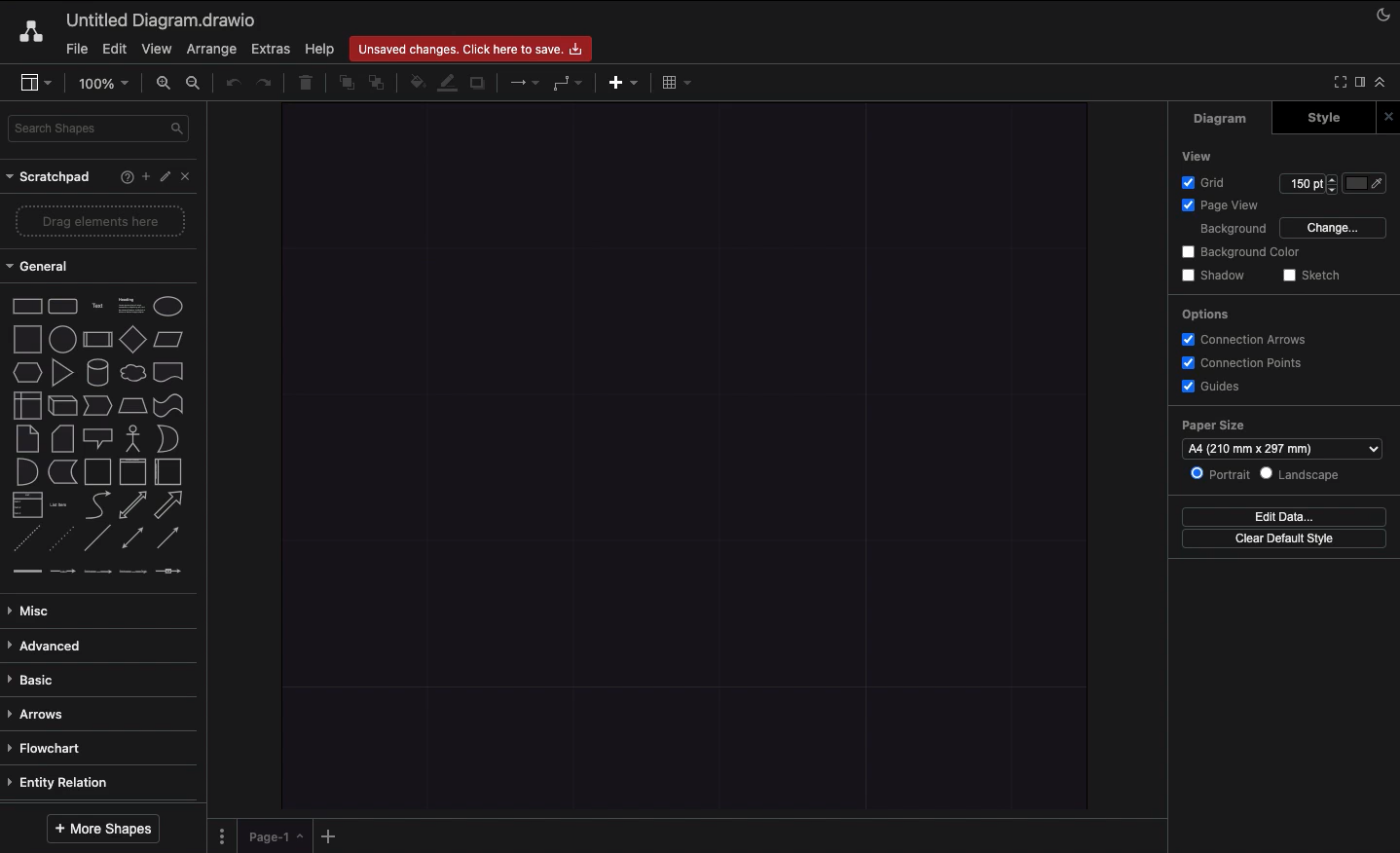  I want to click on Redo, so click(267, 84).